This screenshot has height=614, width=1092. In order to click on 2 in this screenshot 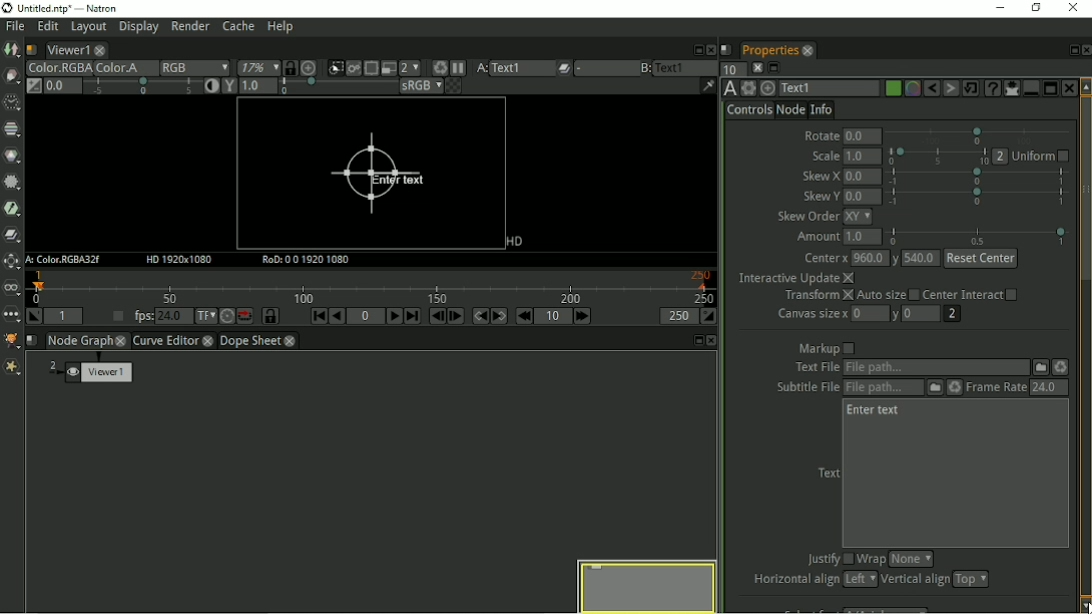, I will do `click(952, 315)`.